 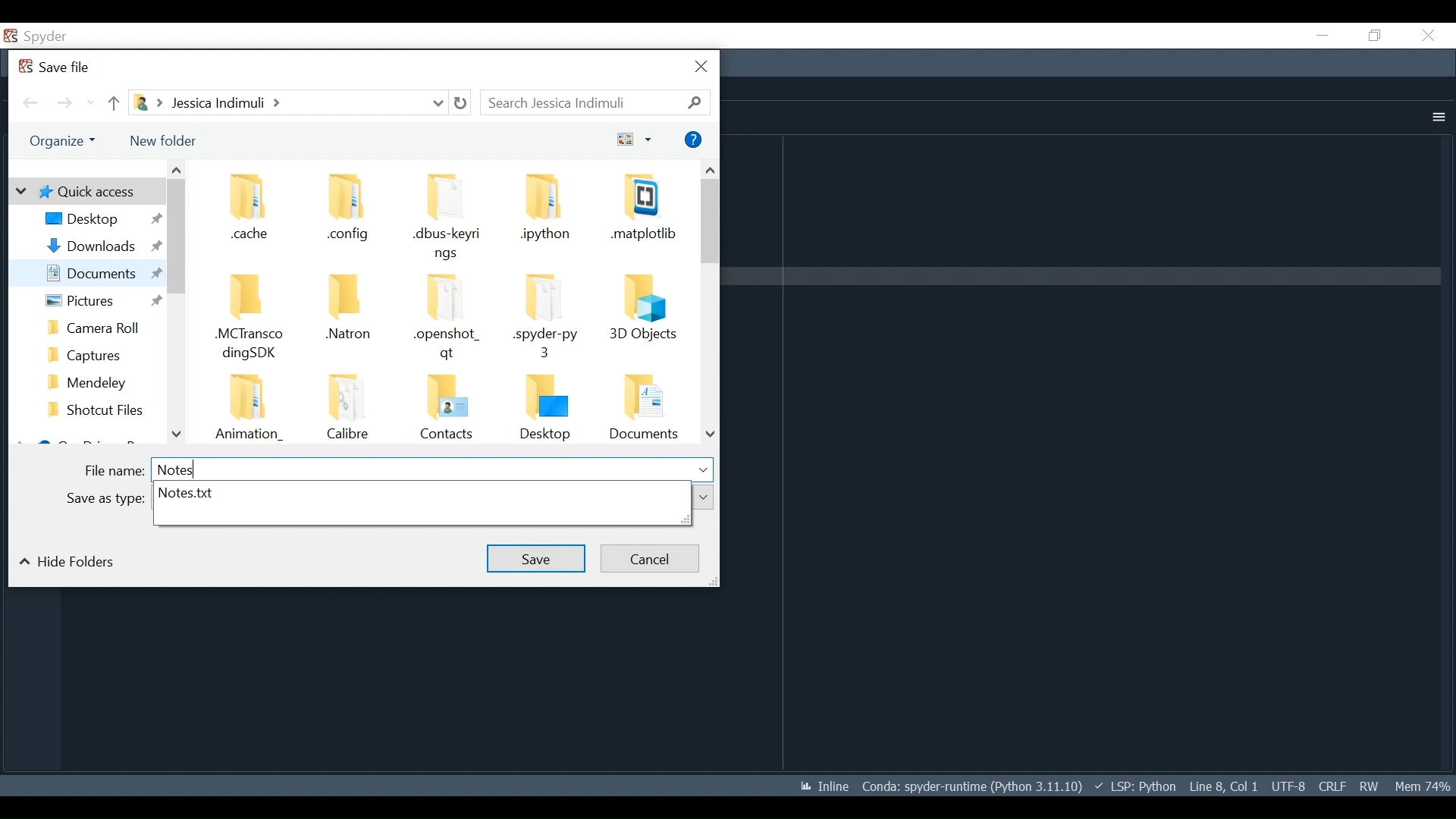 What do you see at coordinates (195, 468) in the screenshot?
I see `typing cursor ` at bounding box center [195, 468].